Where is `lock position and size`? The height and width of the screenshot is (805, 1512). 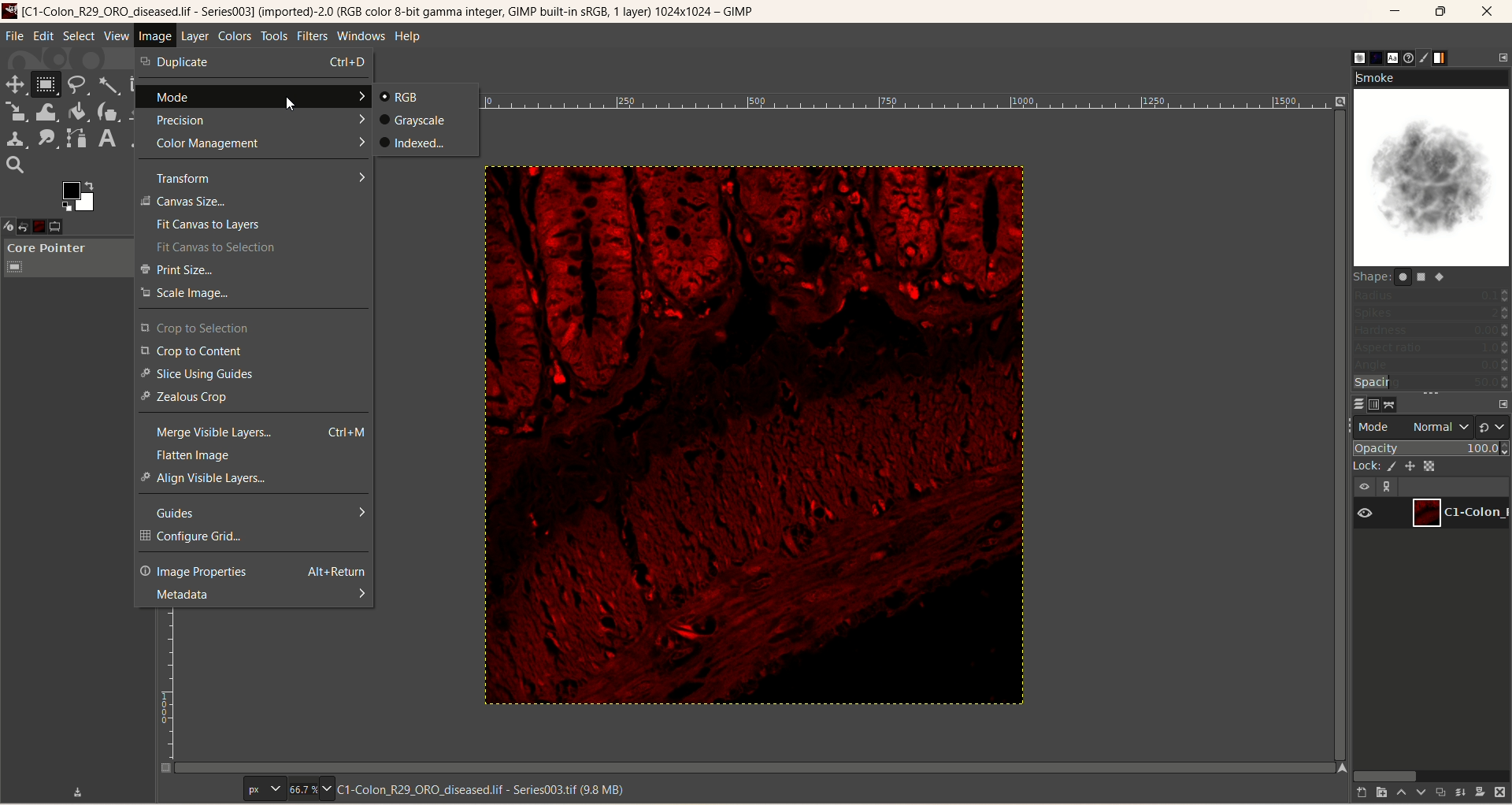 lock position and size is located at coordinates (1410, 467).